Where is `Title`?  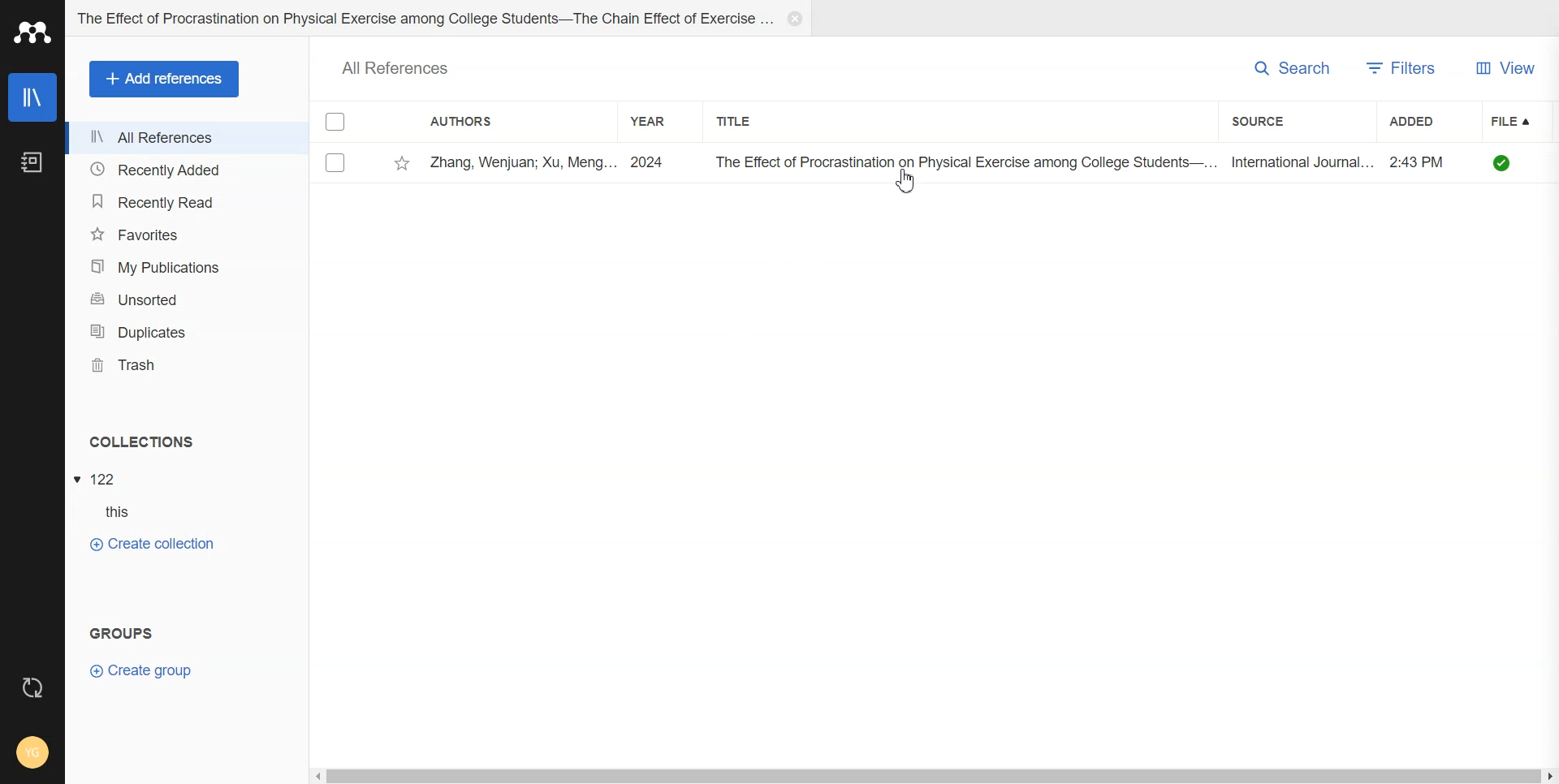
Title is located at coordinates (785, 121).